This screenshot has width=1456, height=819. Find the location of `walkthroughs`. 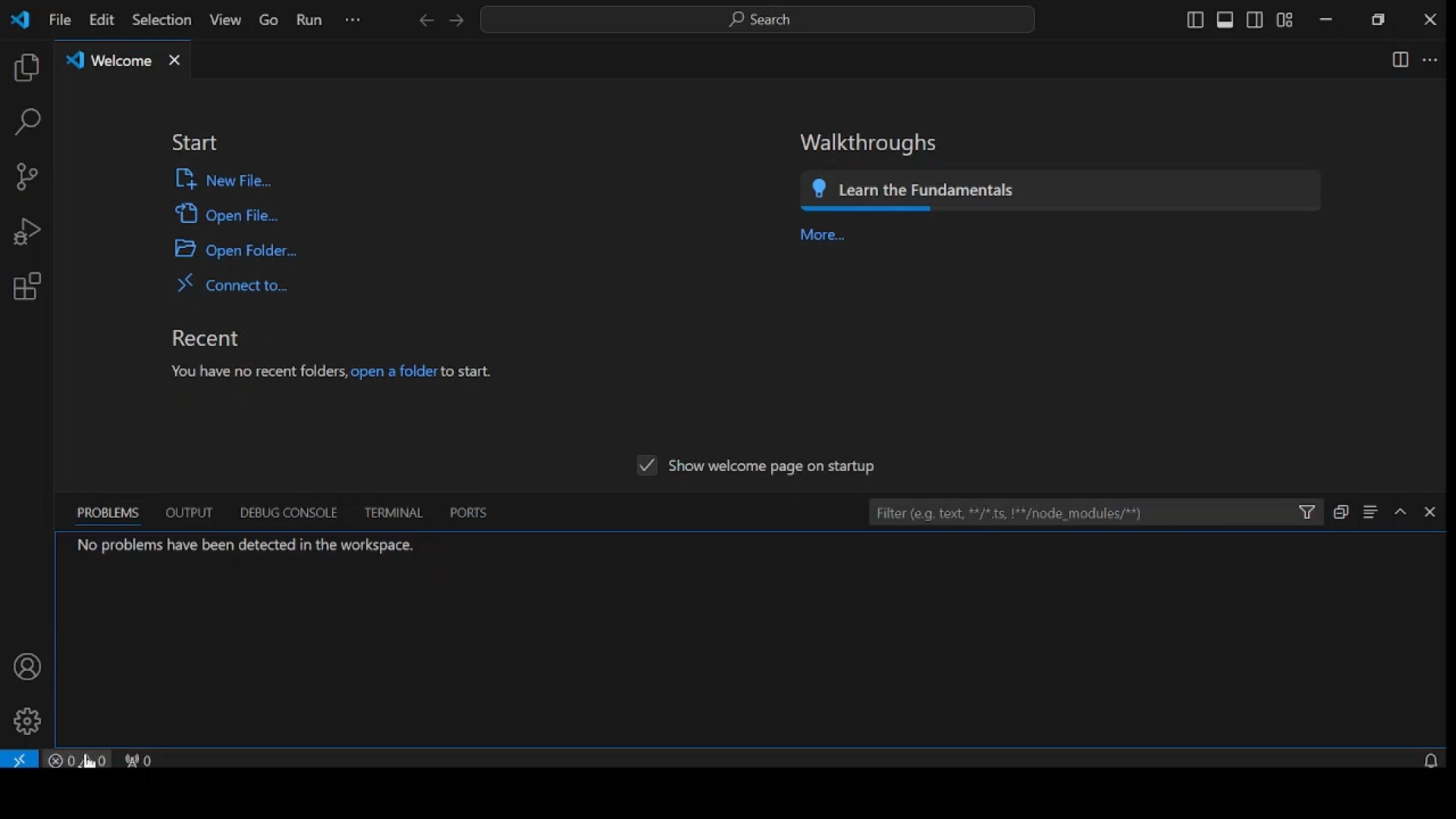

walkthroughs is located at coordinates (871, 142).